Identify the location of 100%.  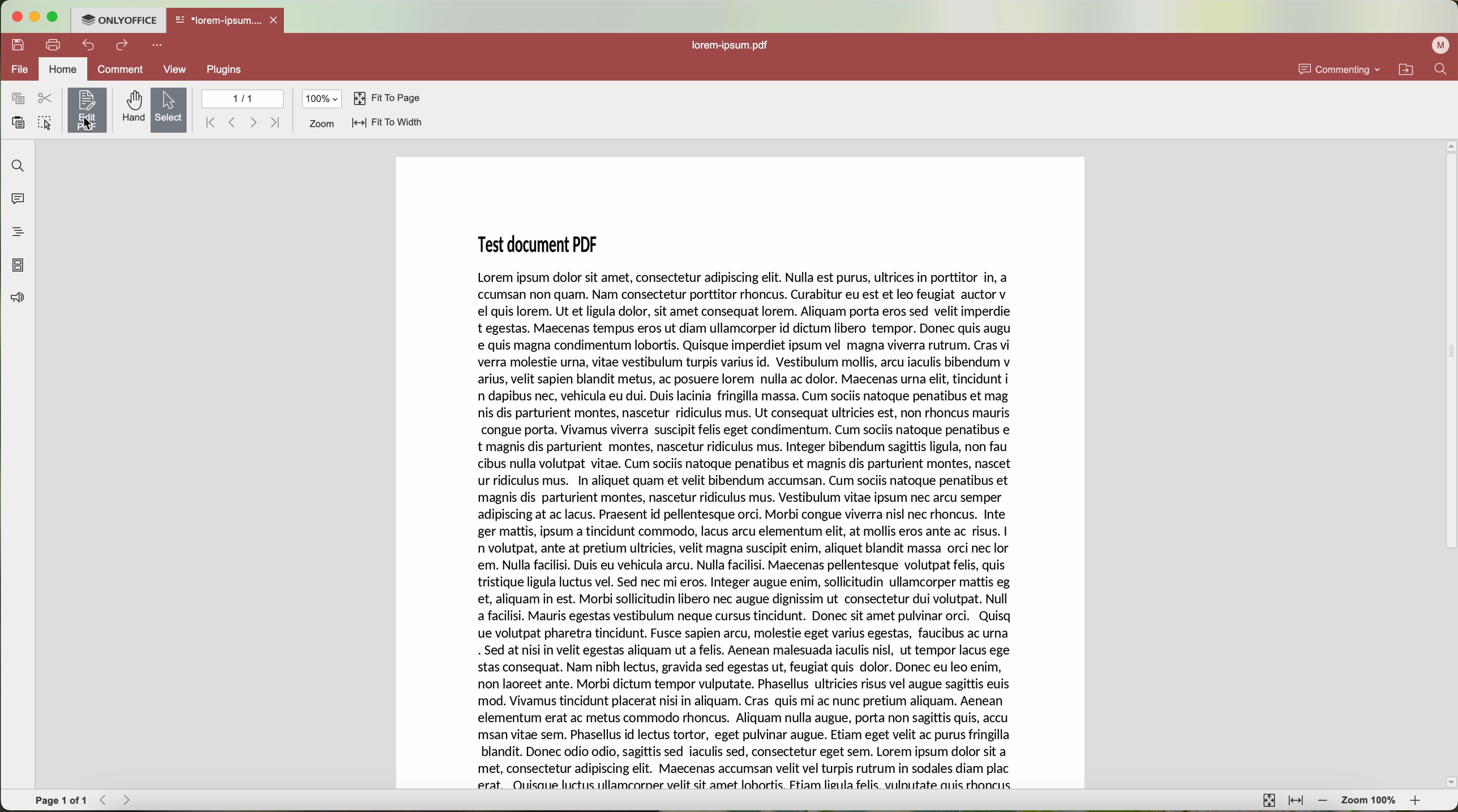
(321, 98).